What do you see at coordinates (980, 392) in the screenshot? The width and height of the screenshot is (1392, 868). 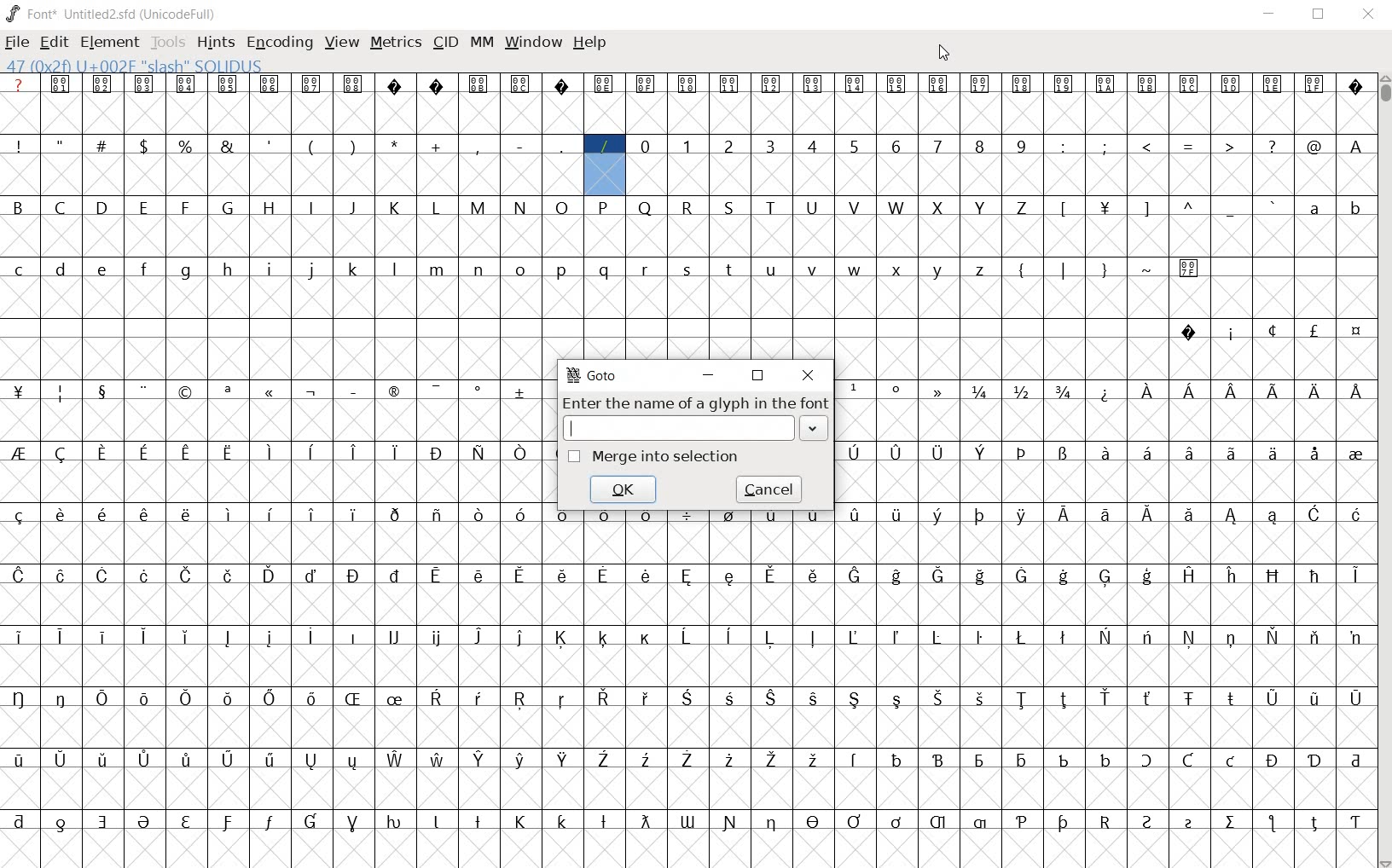 I see `glyph` at bounding box center [980, 392].